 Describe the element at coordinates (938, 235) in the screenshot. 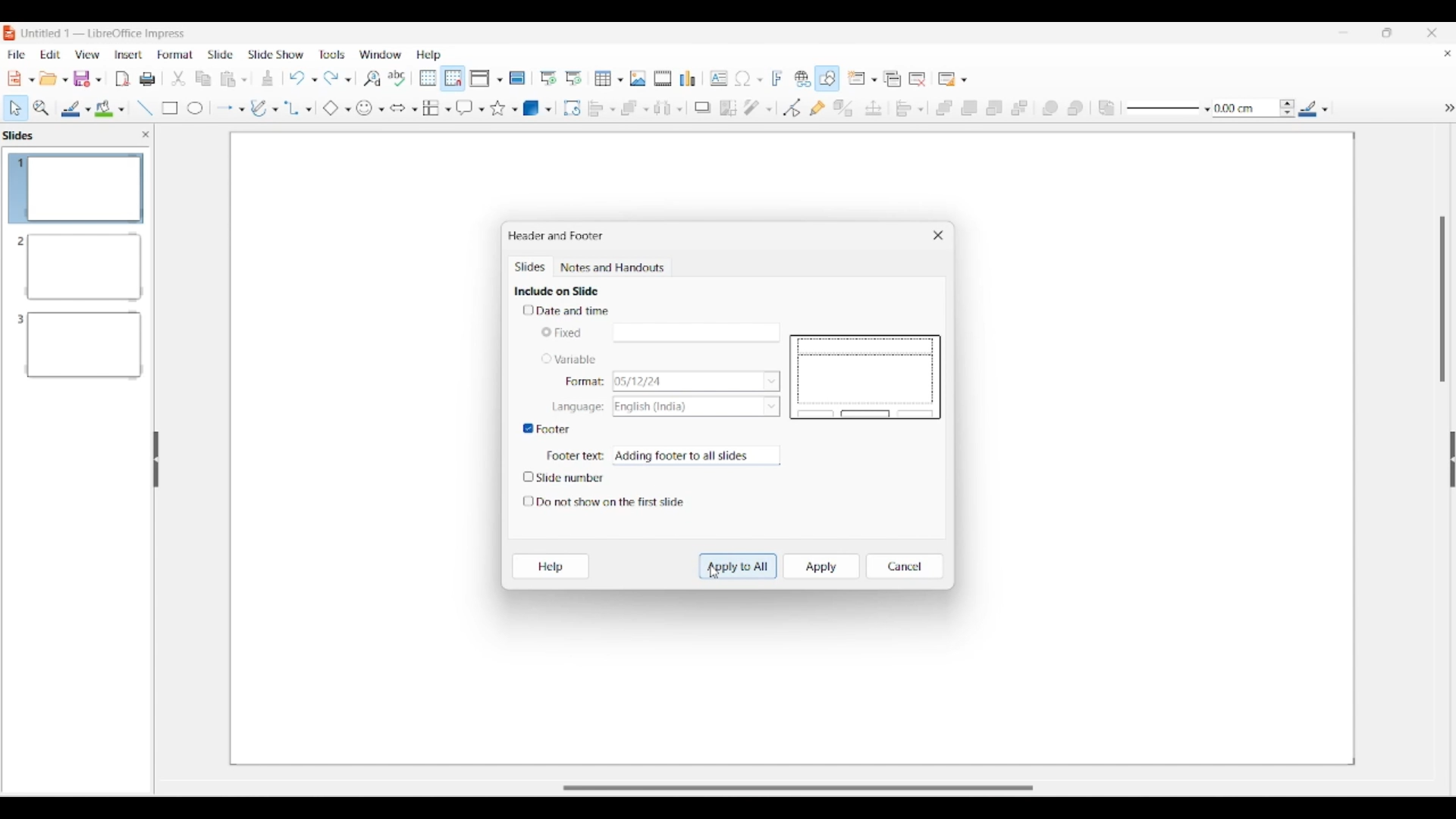

I see `Close window` at that location.